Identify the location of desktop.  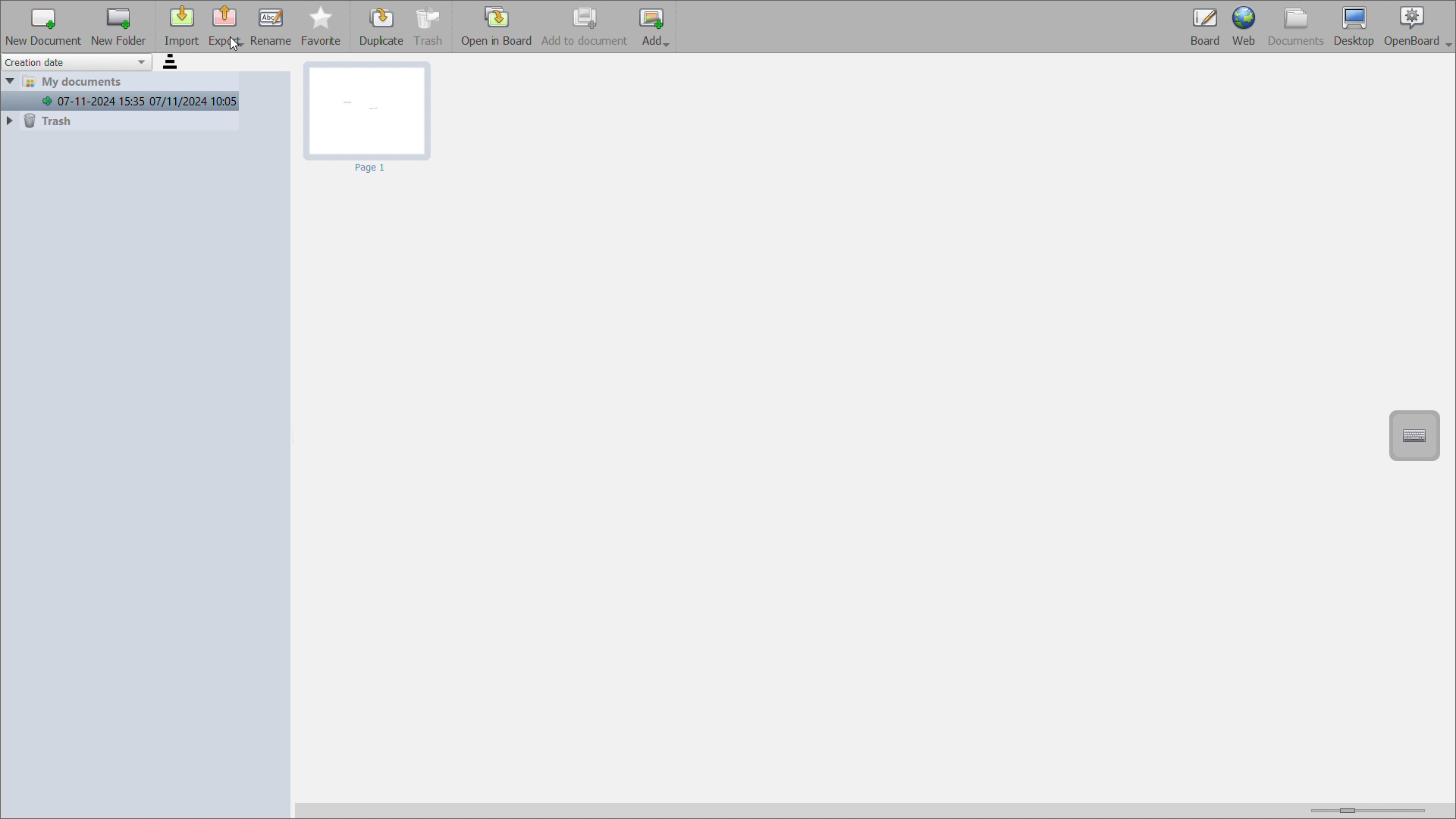
(1354, 27).